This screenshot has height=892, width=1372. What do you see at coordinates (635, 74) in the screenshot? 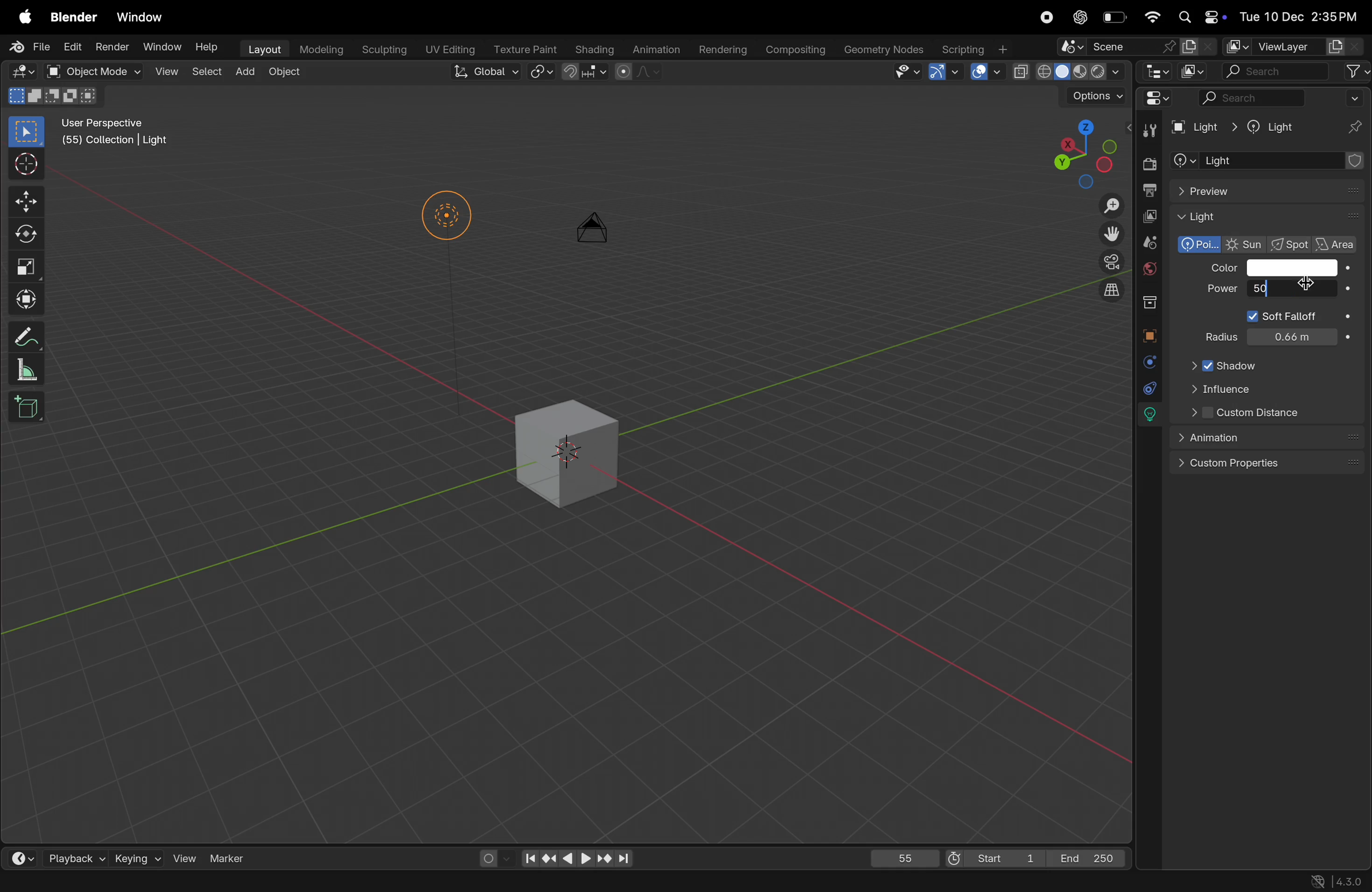
I see `proportional editing objects` at bounding box center [635, 74].